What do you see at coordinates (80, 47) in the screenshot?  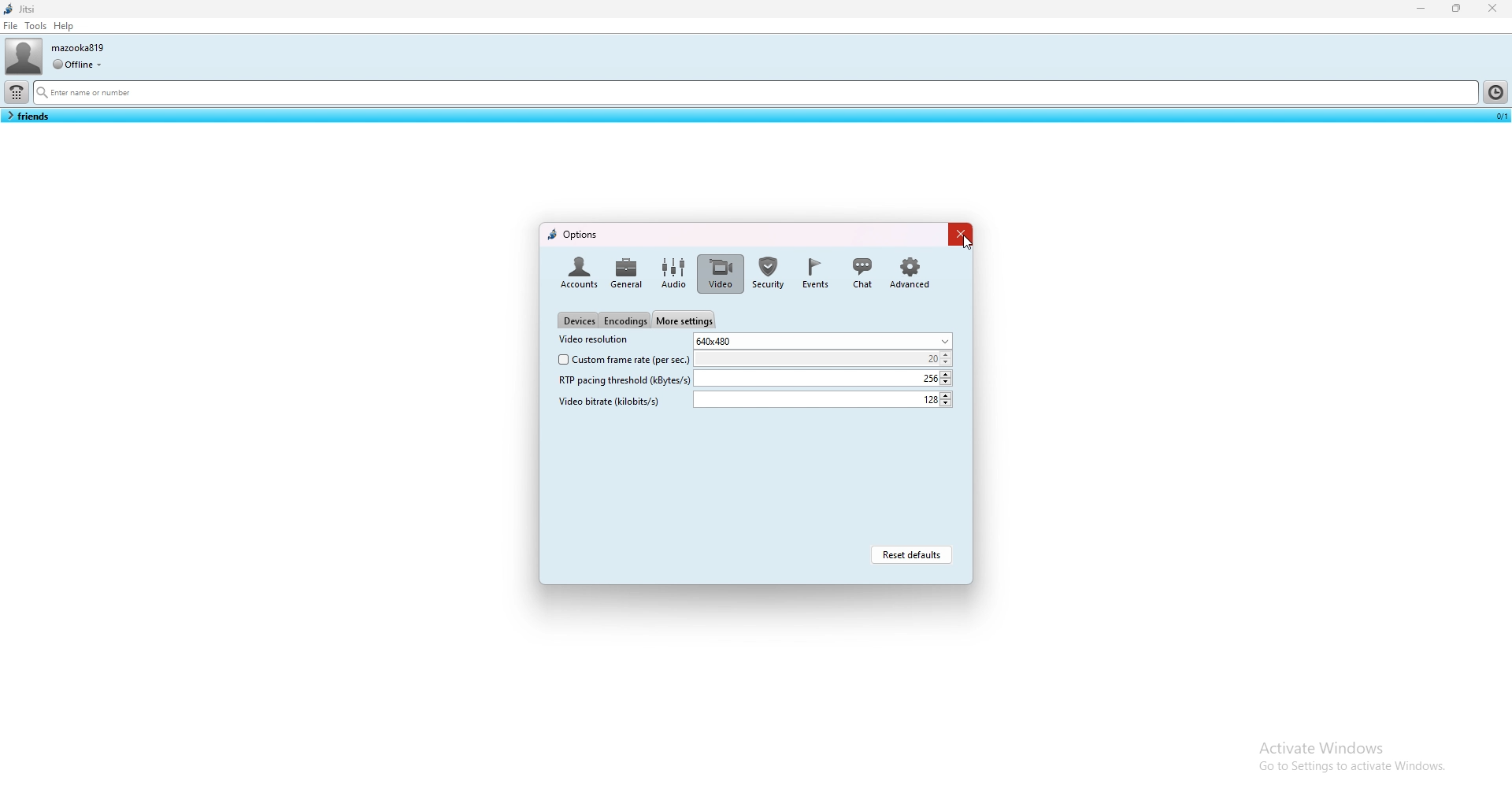 I see `username` at bounding box center [80, 47].